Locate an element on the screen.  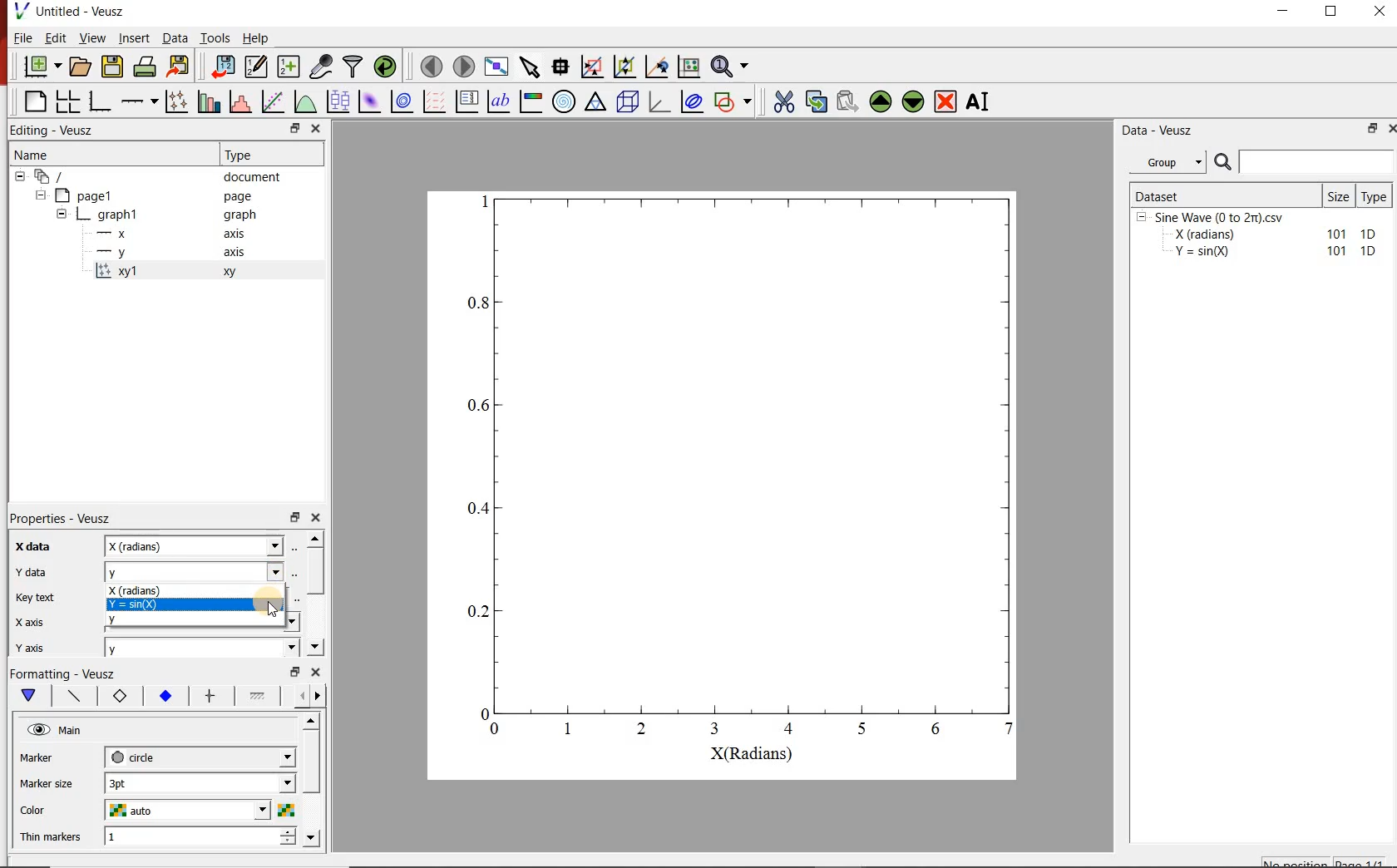
plot a vector field is located at coordinates (435, 101).